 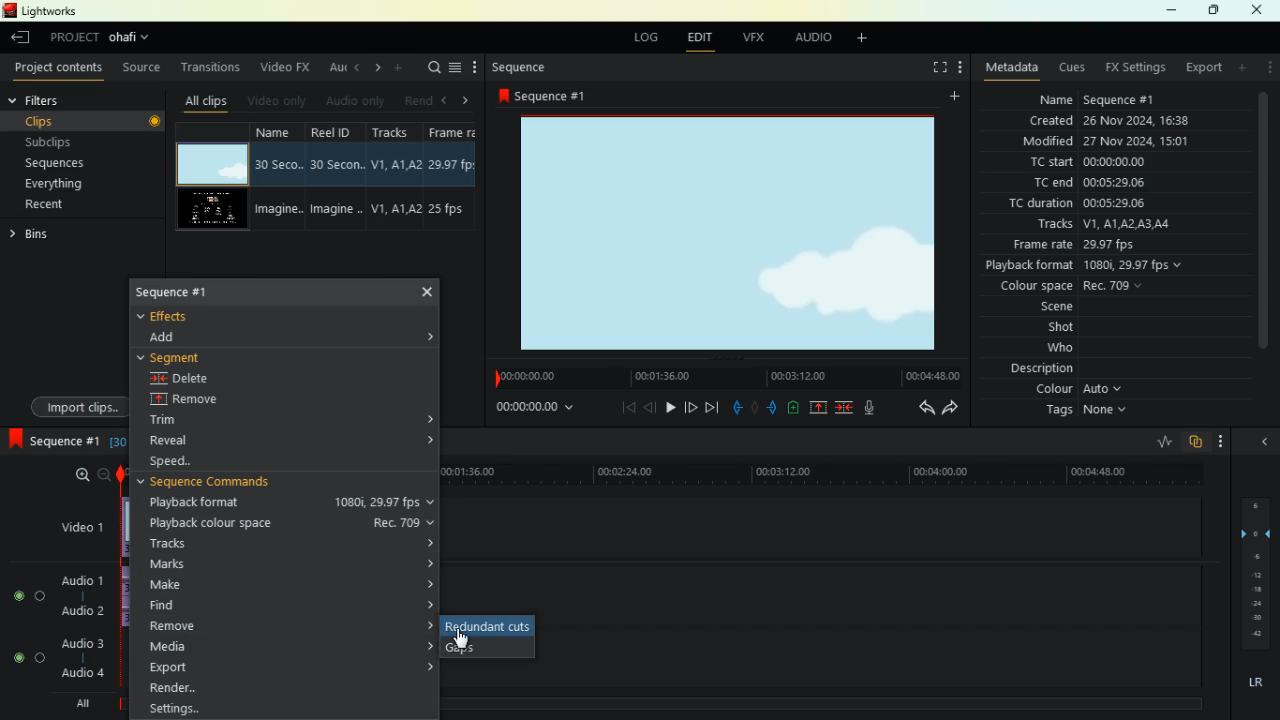 I want to click on right, so click(x=468, y=100).